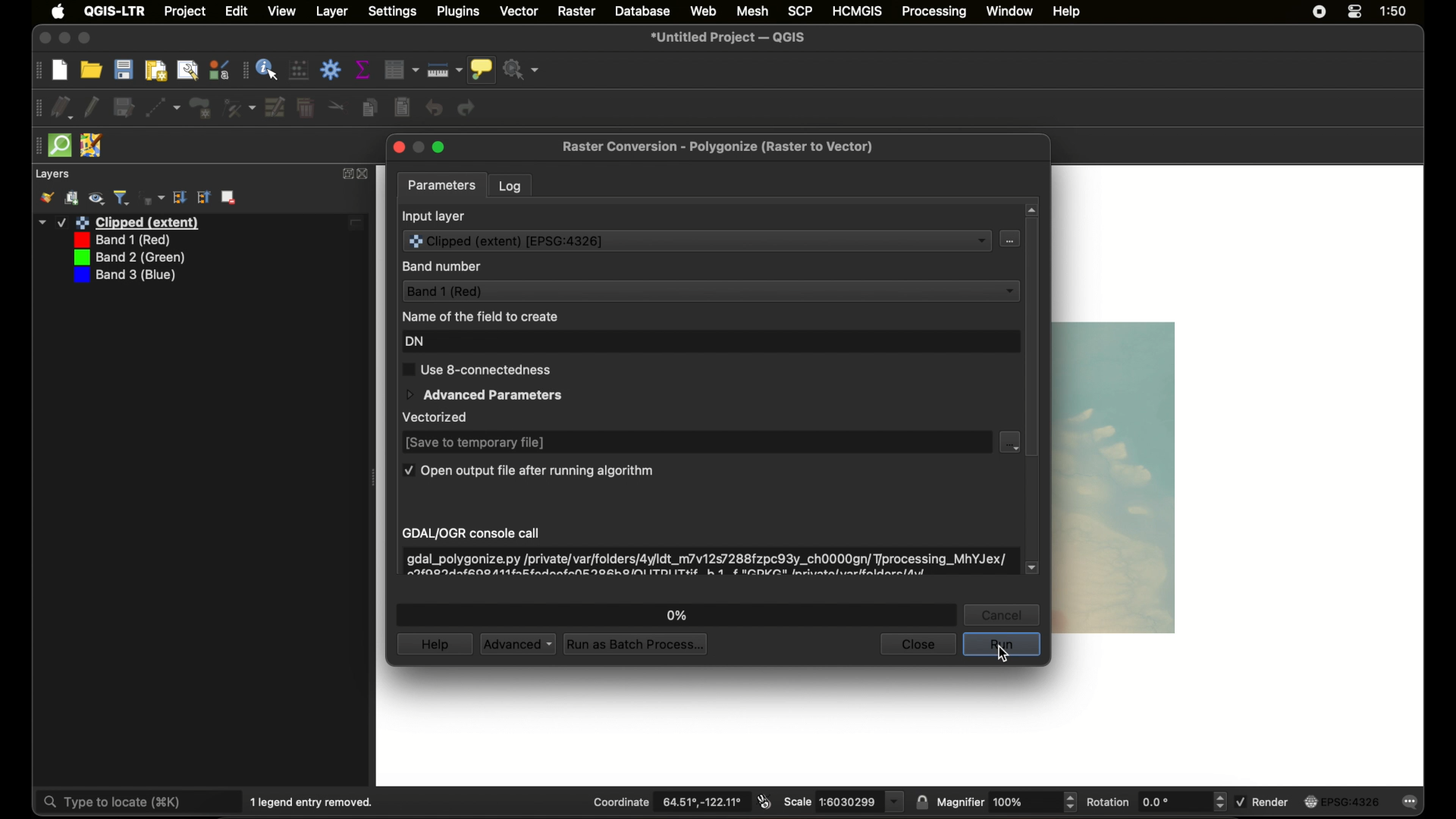  I want to click on cancel, so click(1002, 615).